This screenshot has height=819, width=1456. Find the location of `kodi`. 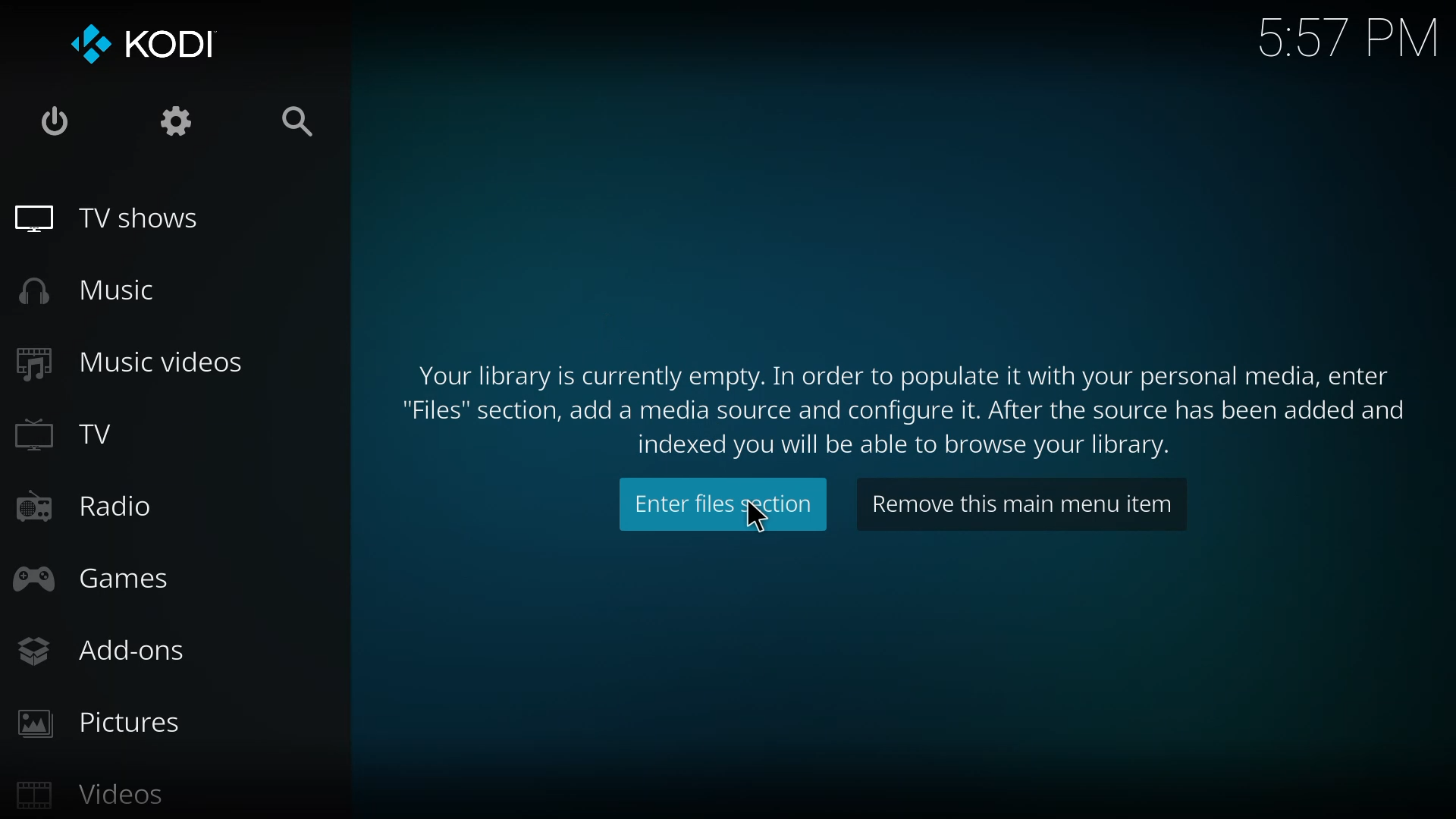

kodi is located at coordinates (146, 43).